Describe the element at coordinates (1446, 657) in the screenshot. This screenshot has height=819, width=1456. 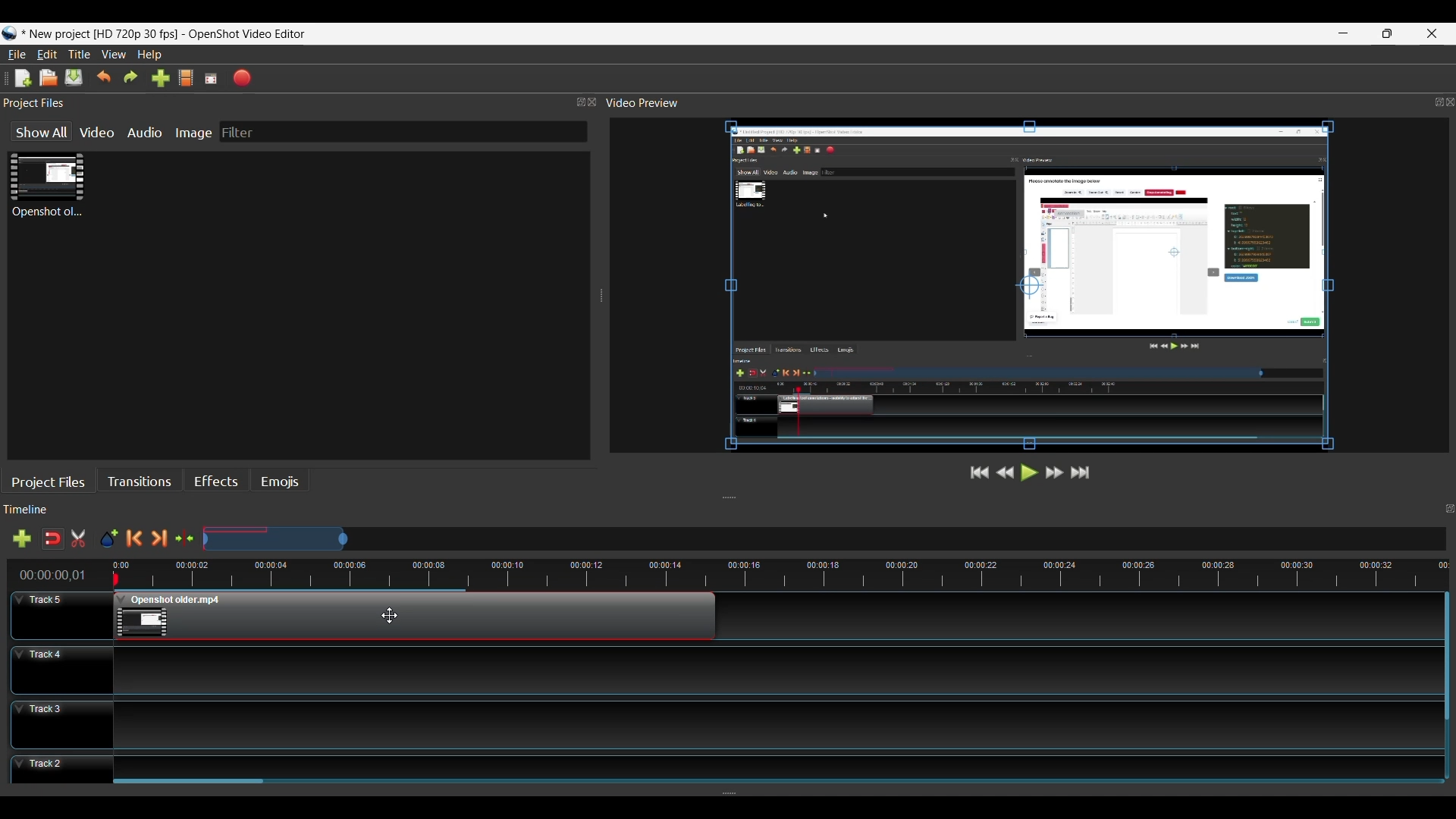
I see `Vertical Scroll bar` at that location.